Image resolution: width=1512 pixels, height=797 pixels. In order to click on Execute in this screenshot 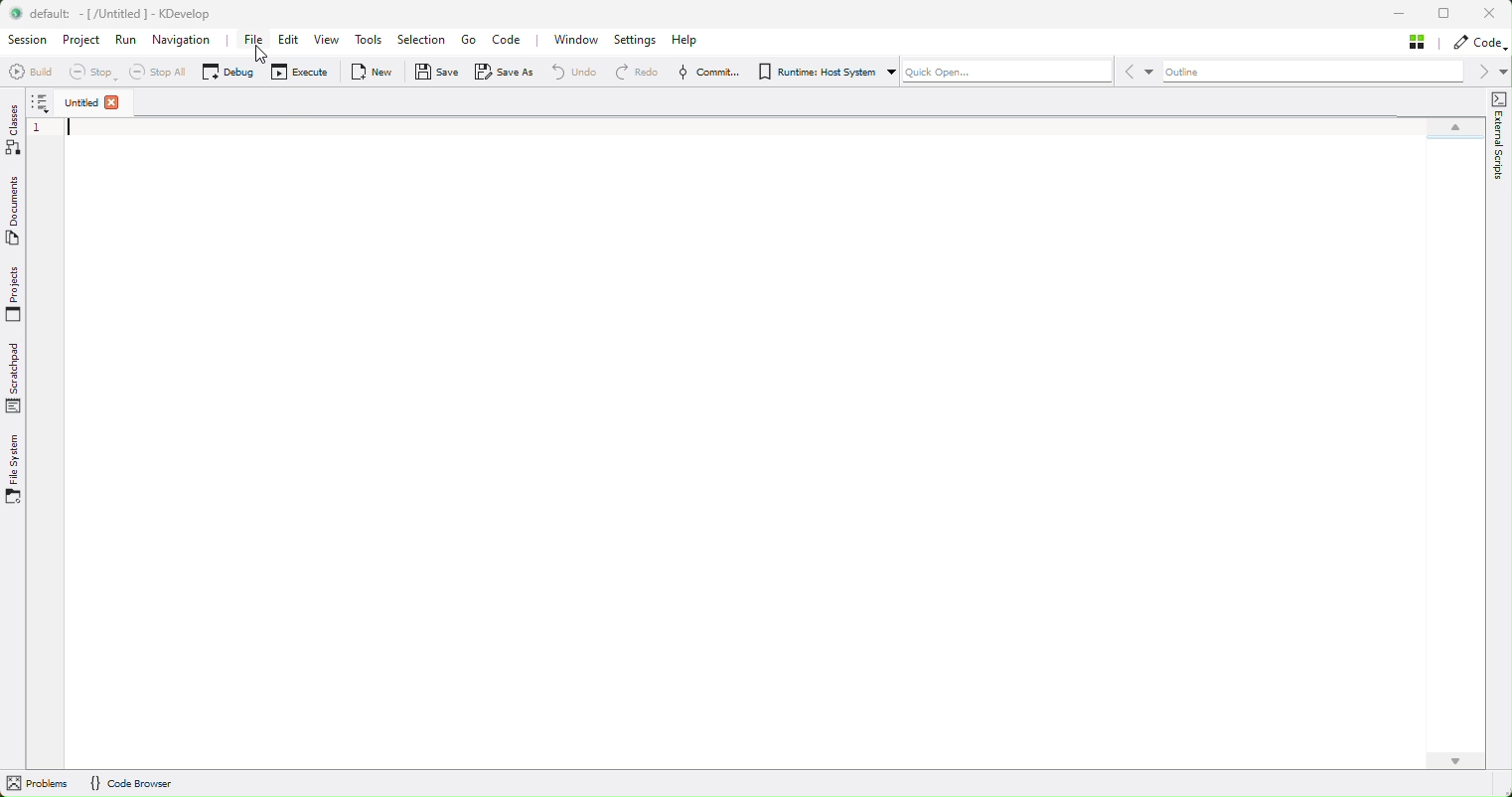, I will do `click(307, 73)`.